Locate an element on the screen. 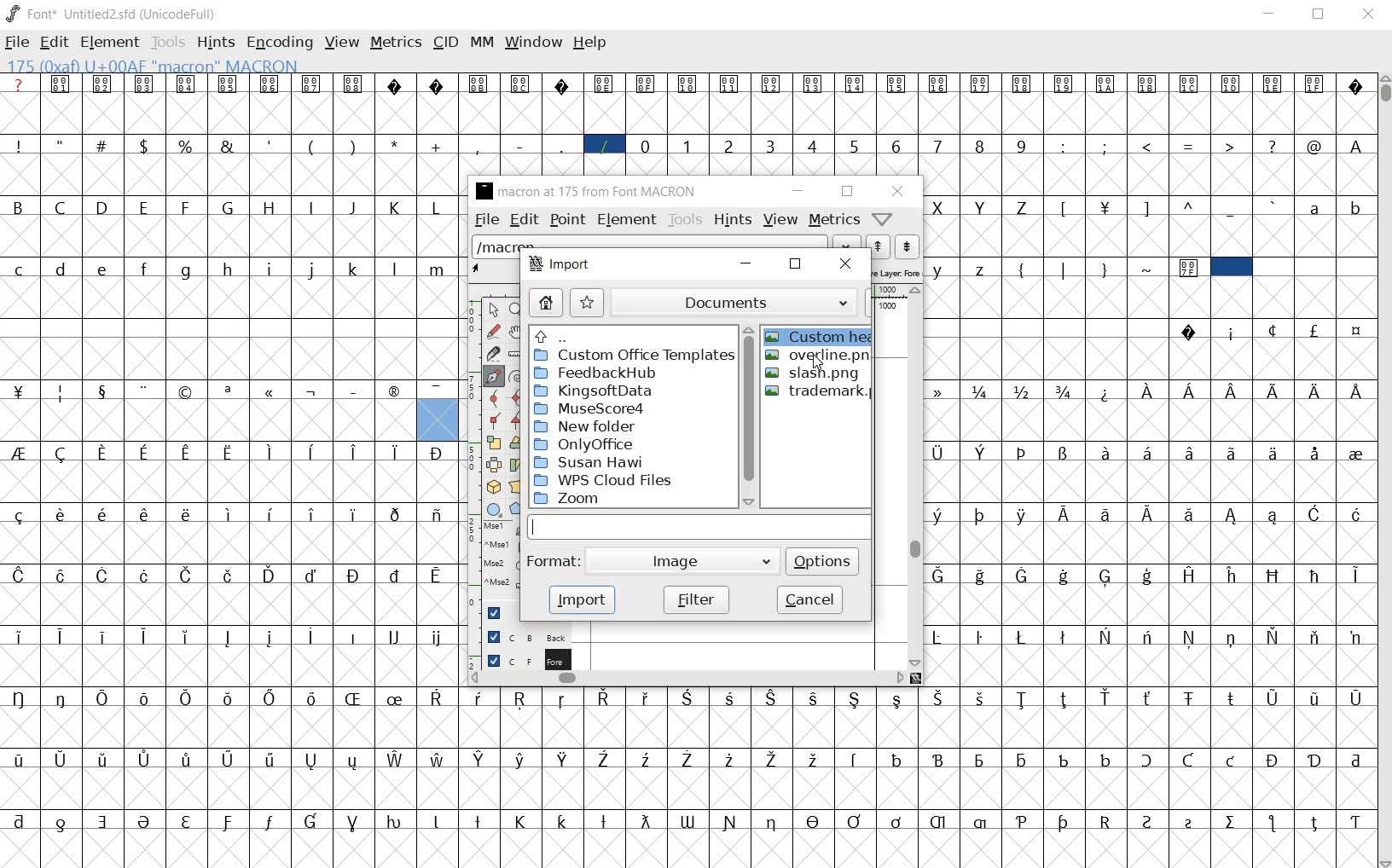 The height and width of the screenshot is (868, 1392). Symbol is located at coordinates (1105, 636).